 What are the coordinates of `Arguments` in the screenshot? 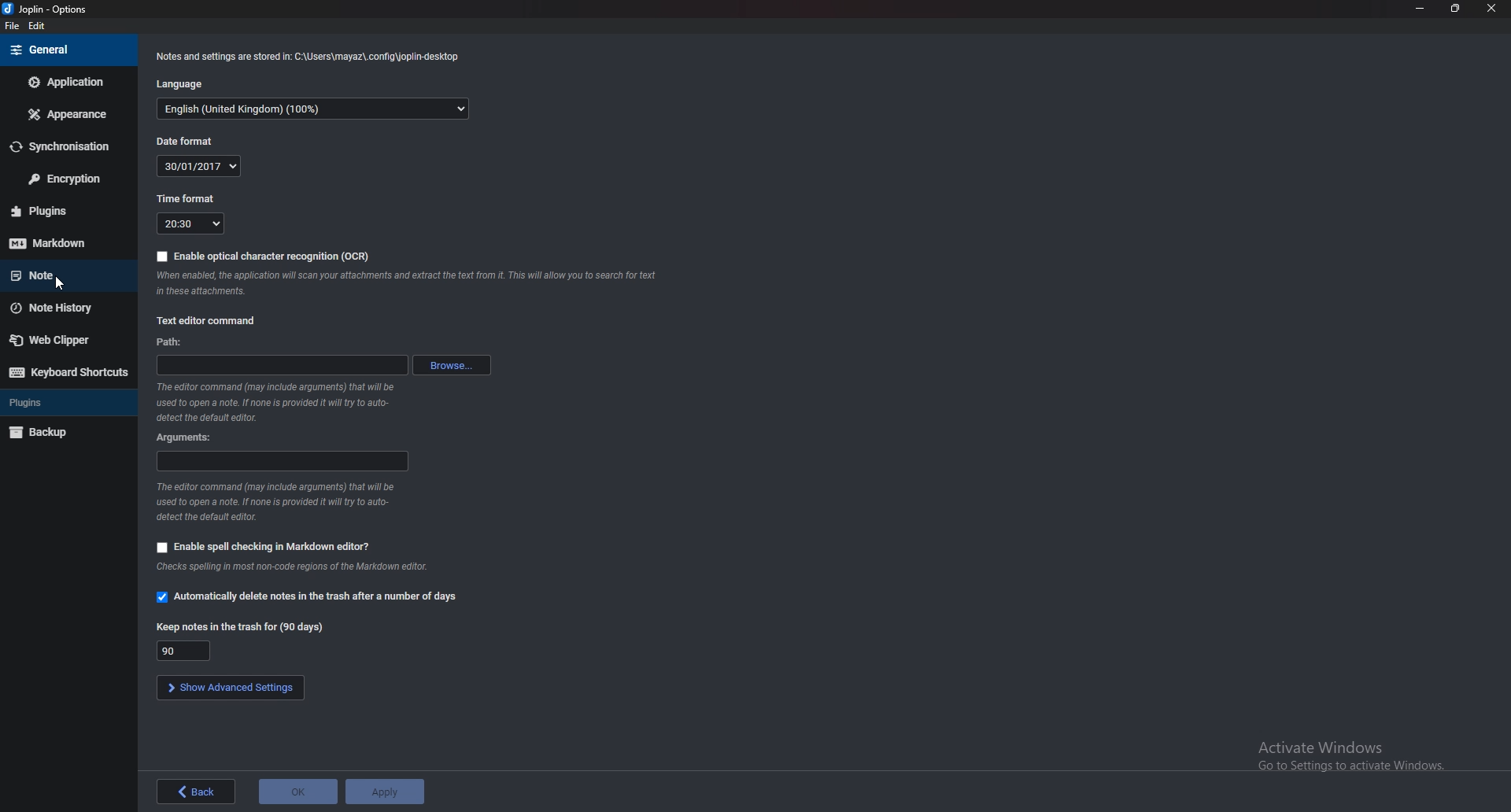 It's located at (281, 461).